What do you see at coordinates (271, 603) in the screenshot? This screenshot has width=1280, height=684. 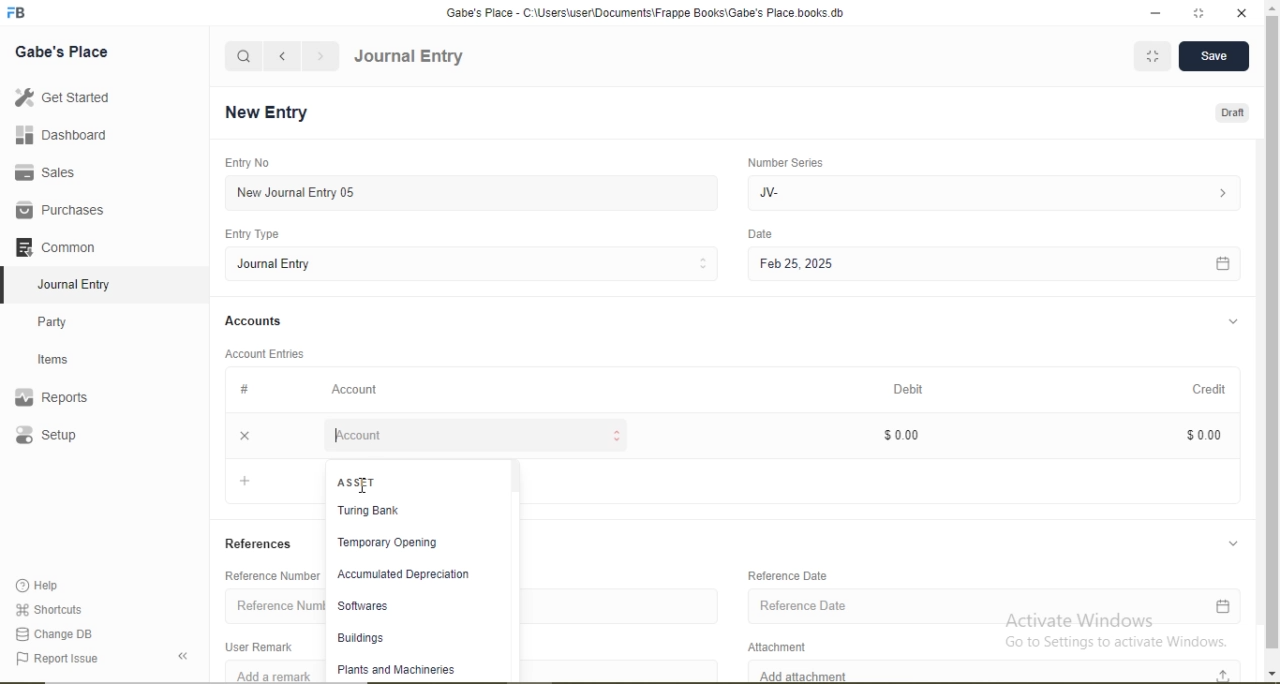 I see `Reference Number` at bounding box center [271, 603].